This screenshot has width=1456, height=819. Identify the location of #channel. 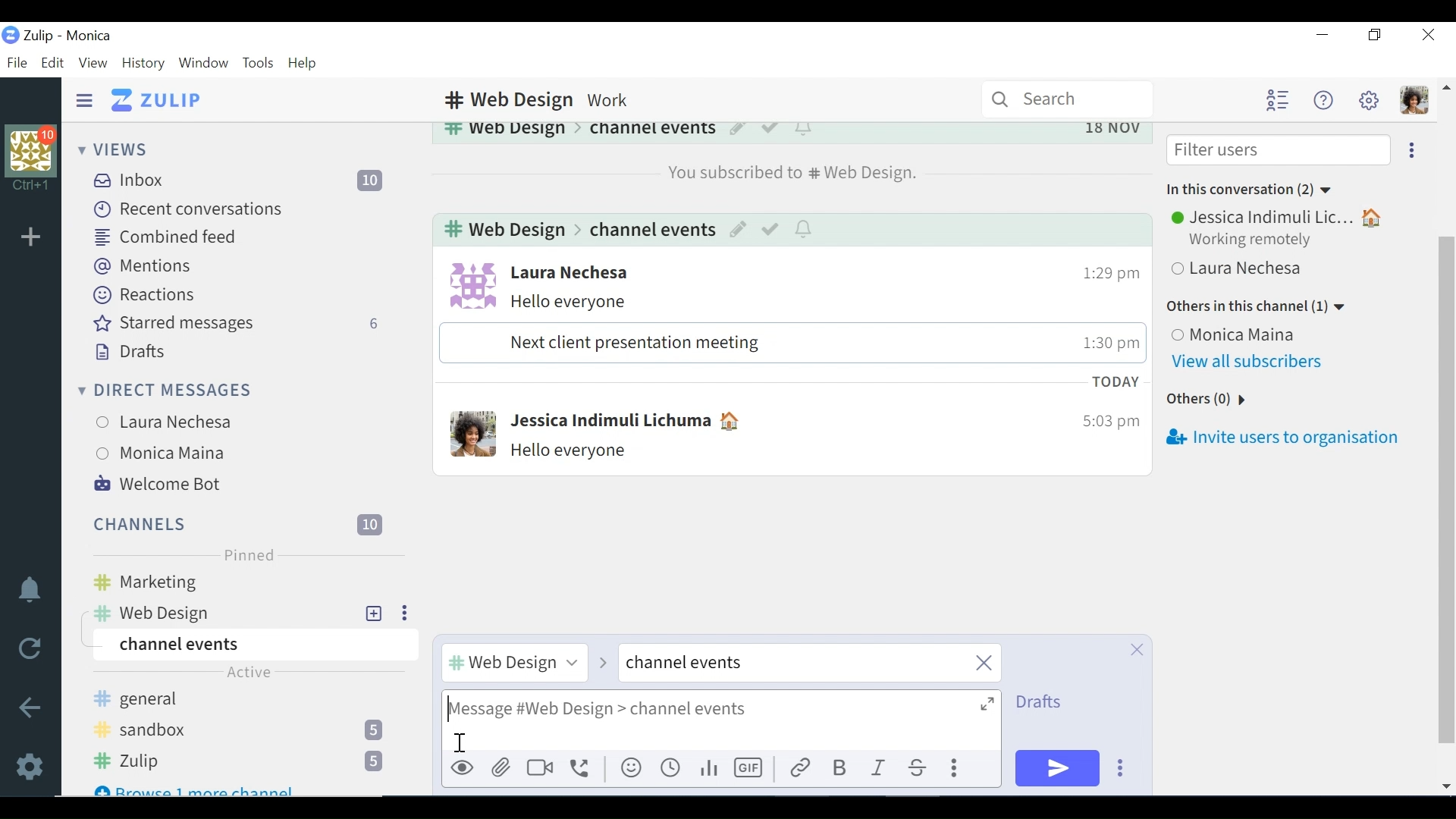
(512, 661).